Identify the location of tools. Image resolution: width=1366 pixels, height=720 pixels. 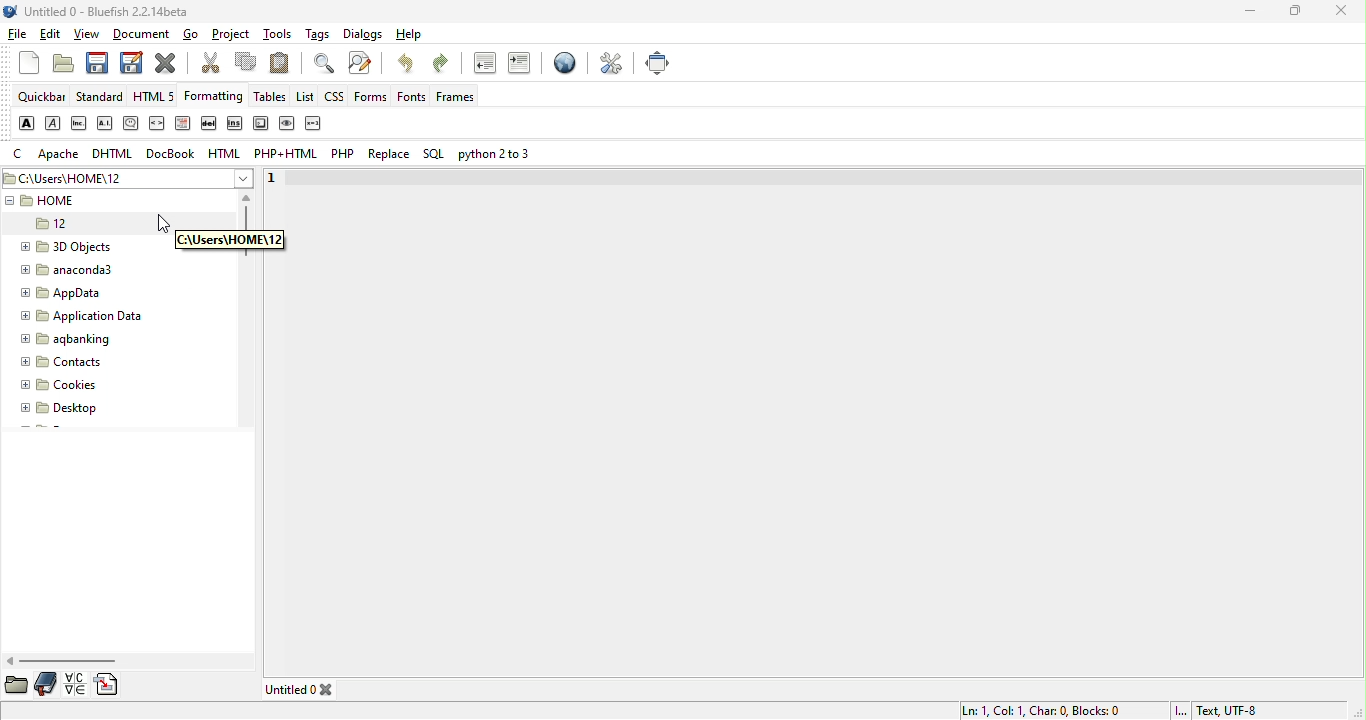
(281, 35).